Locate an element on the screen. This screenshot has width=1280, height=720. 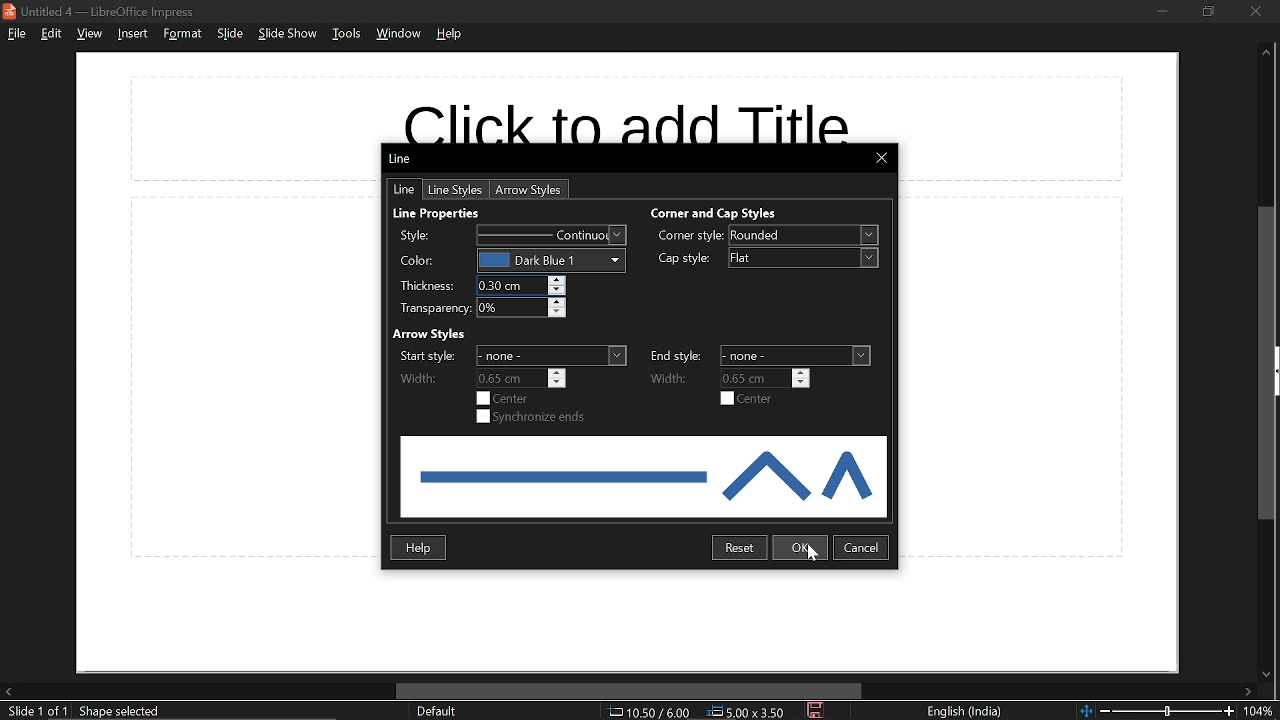
format is located at coordinates (180, 35).